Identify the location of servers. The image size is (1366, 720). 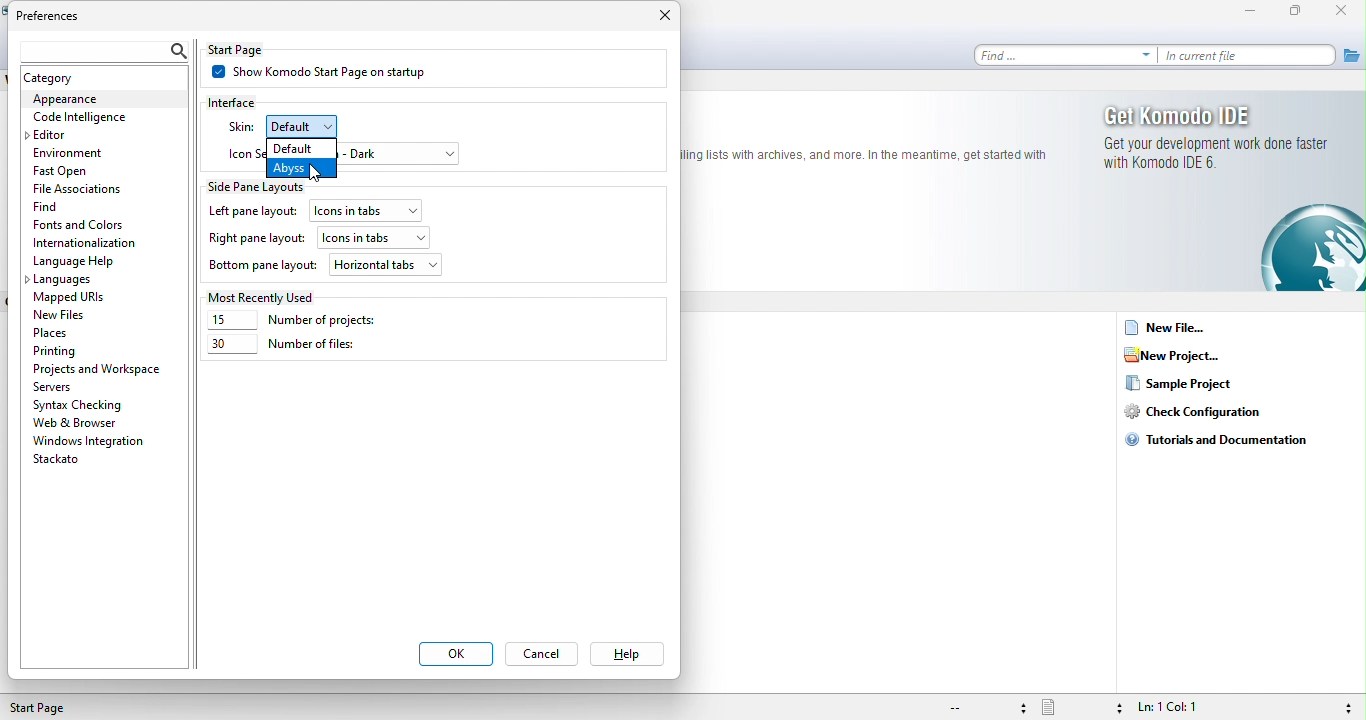
(60, 387).